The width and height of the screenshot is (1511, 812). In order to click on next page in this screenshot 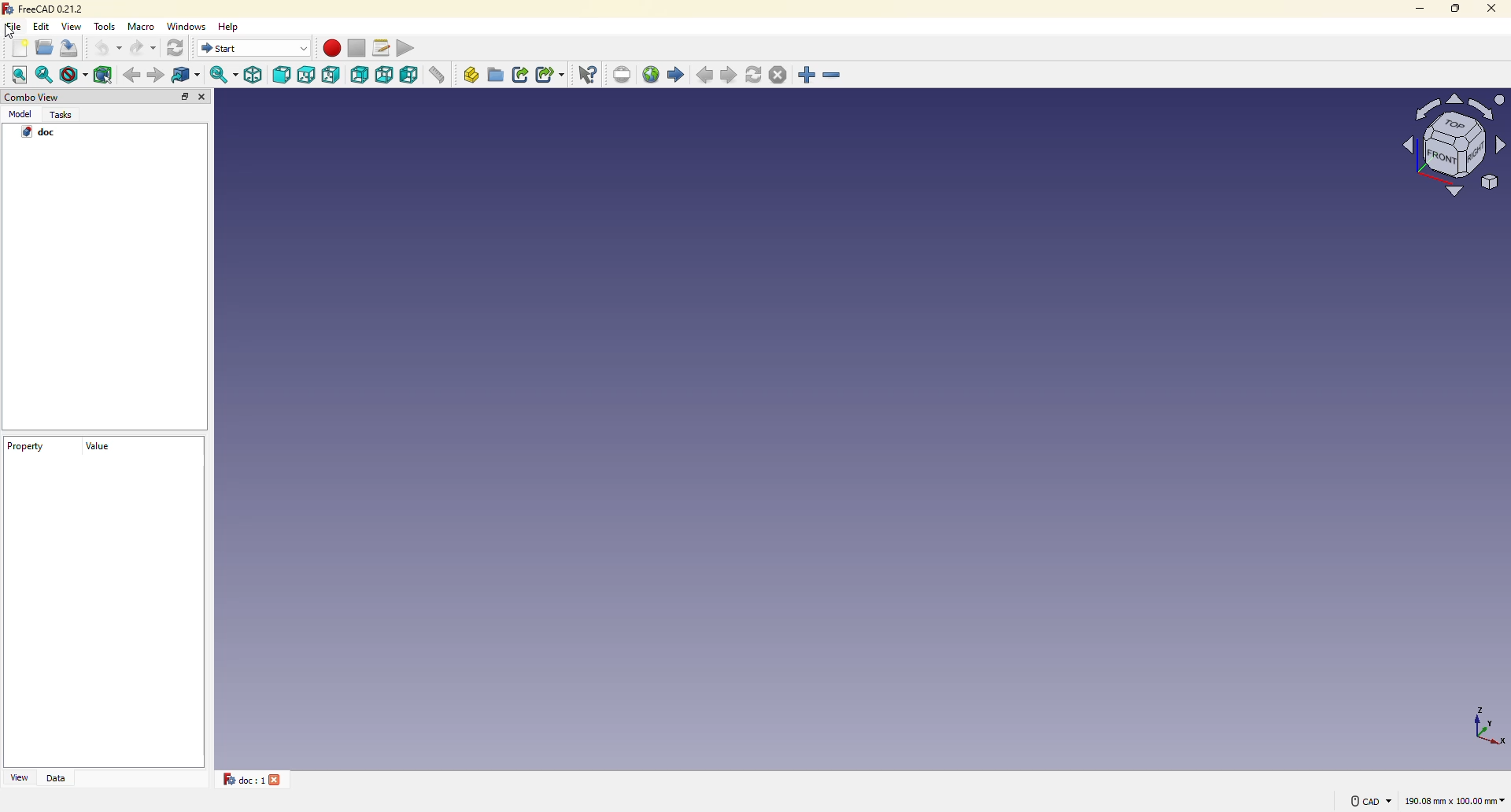, I will do `click(730, 76)`.